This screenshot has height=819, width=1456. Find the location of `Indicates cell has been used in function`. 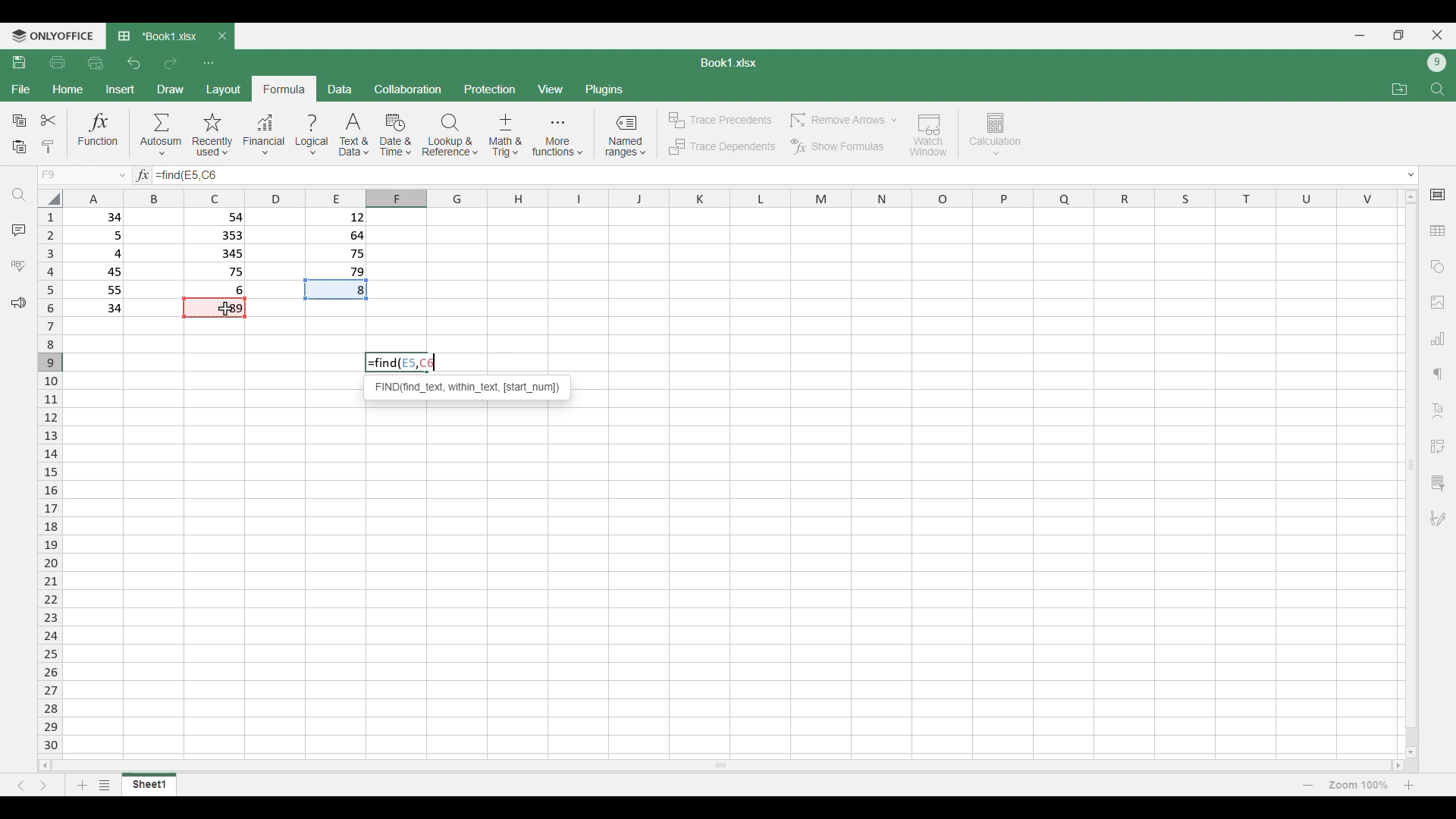

Indicates cell has been used in function is located at coordinates (337, 290).